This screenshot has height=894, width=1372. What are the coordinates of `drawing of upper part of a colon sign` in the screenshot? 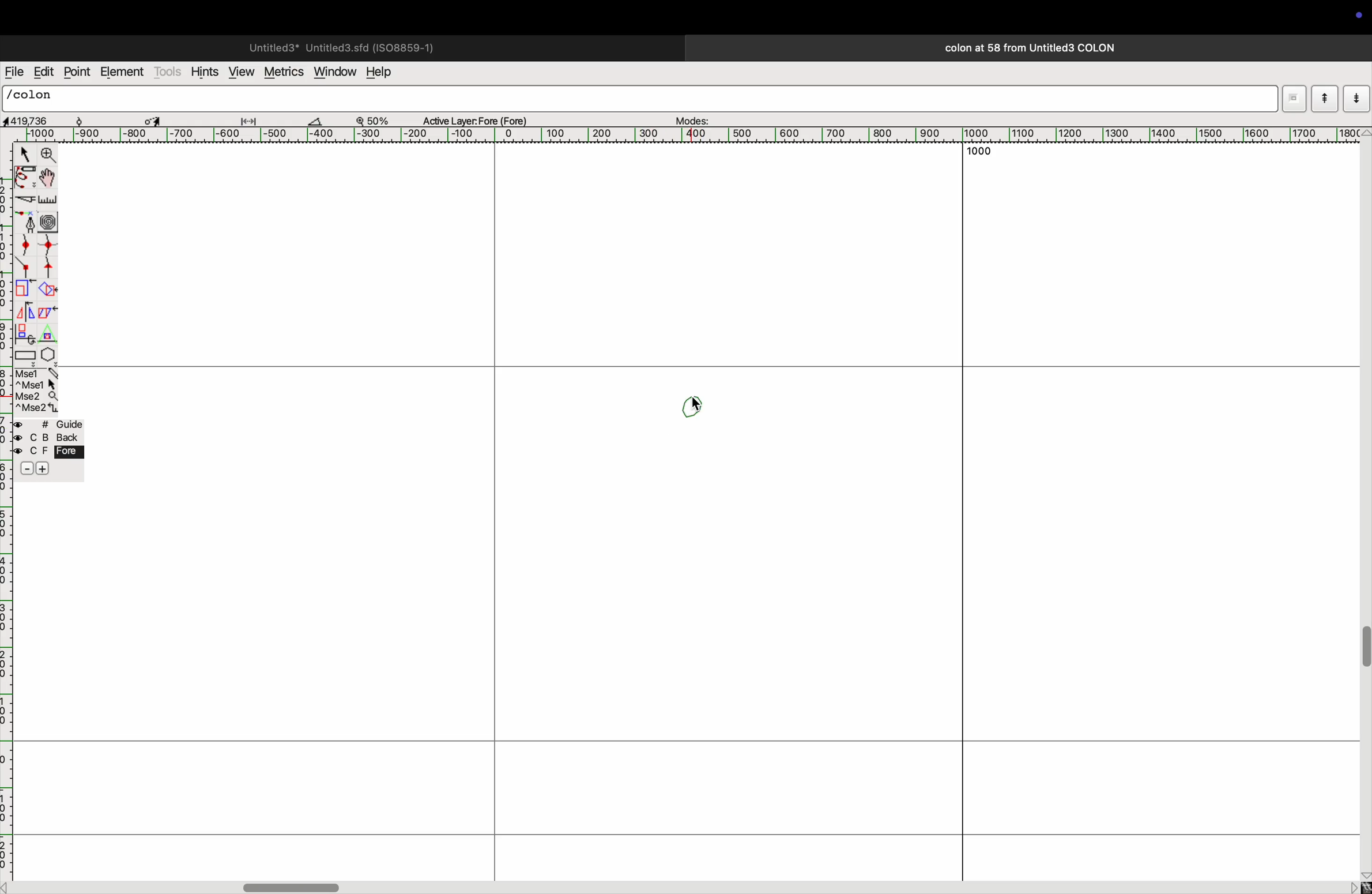 It's located at (694, 407).